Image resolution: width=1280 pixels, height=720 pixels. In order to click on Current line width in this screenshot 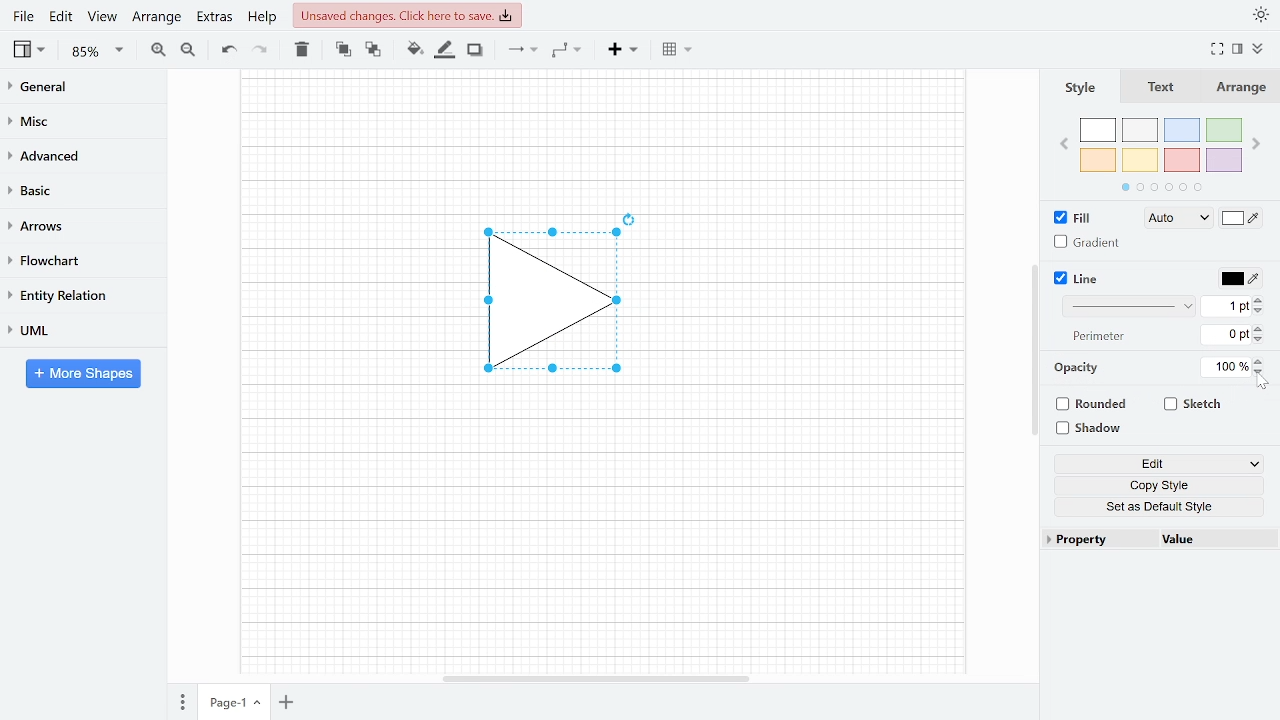, I will do `click(1227, 305)`.